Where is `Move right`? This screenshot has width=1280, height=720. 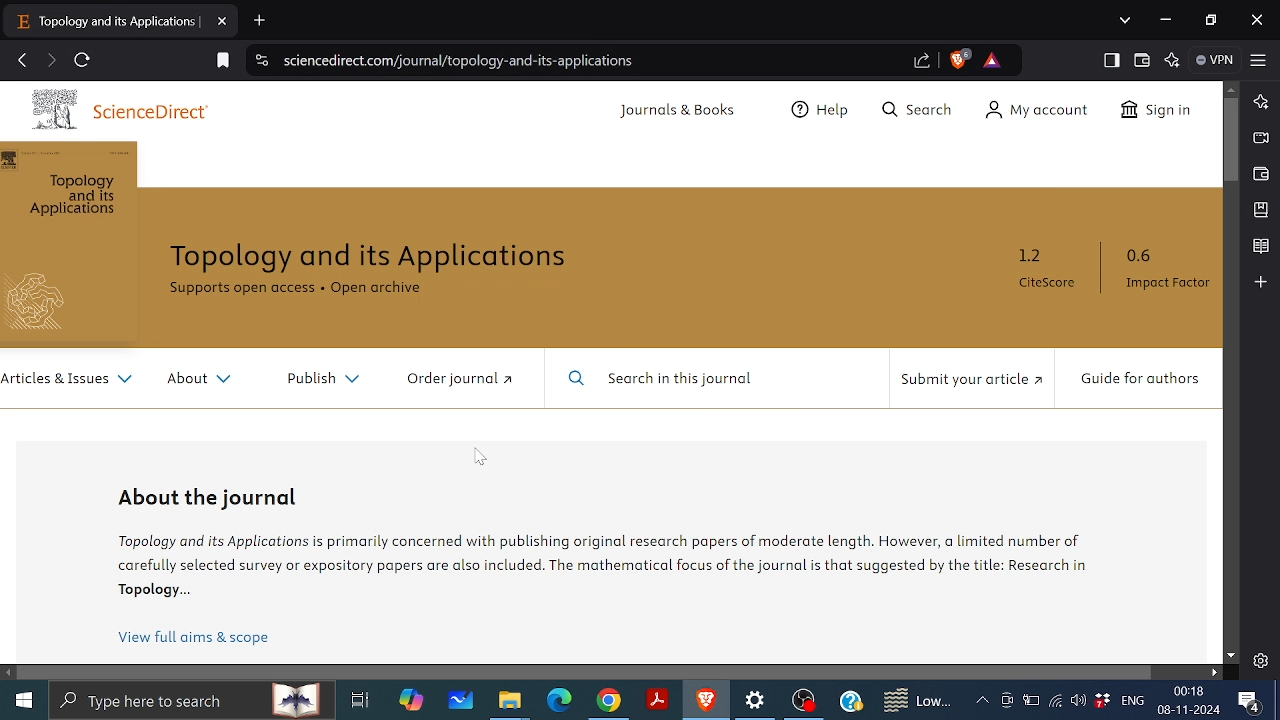 Move right is located at coordinates (1213, 672).